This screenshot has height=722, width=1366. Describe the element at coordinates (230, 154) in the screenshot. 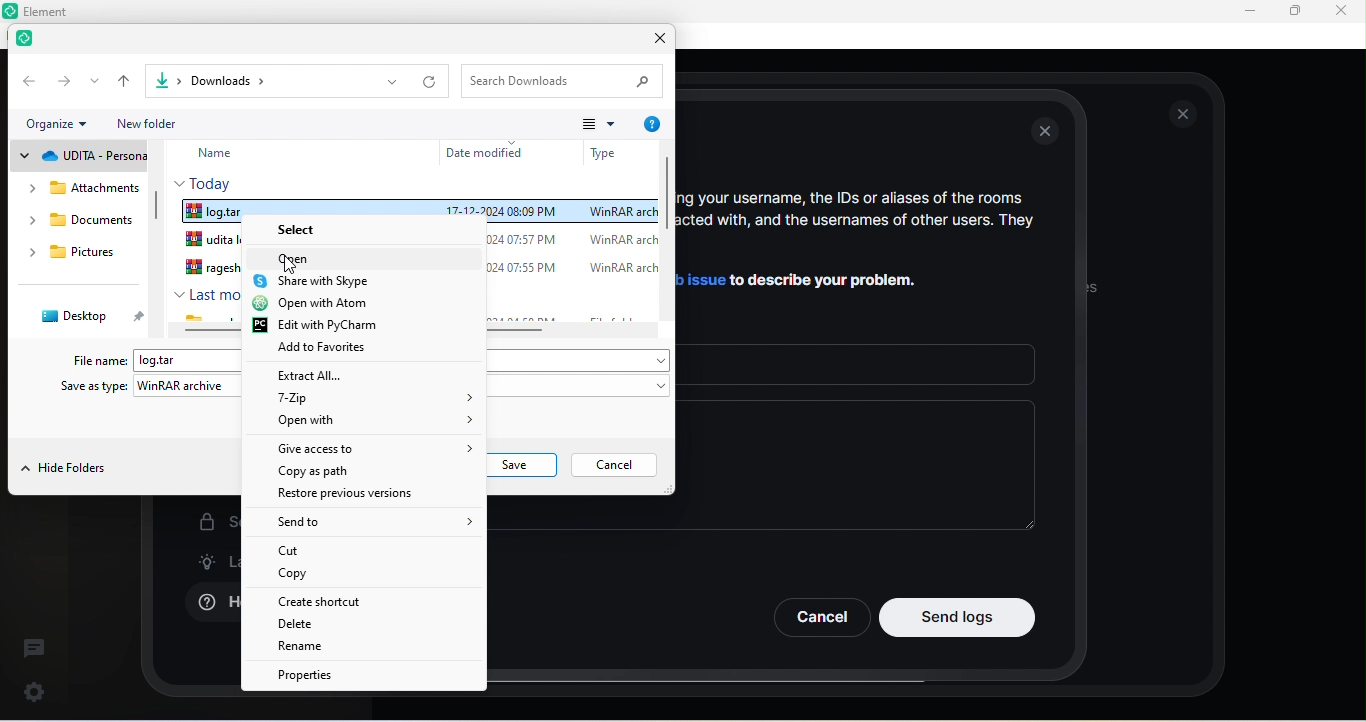

I see `name` at that location.